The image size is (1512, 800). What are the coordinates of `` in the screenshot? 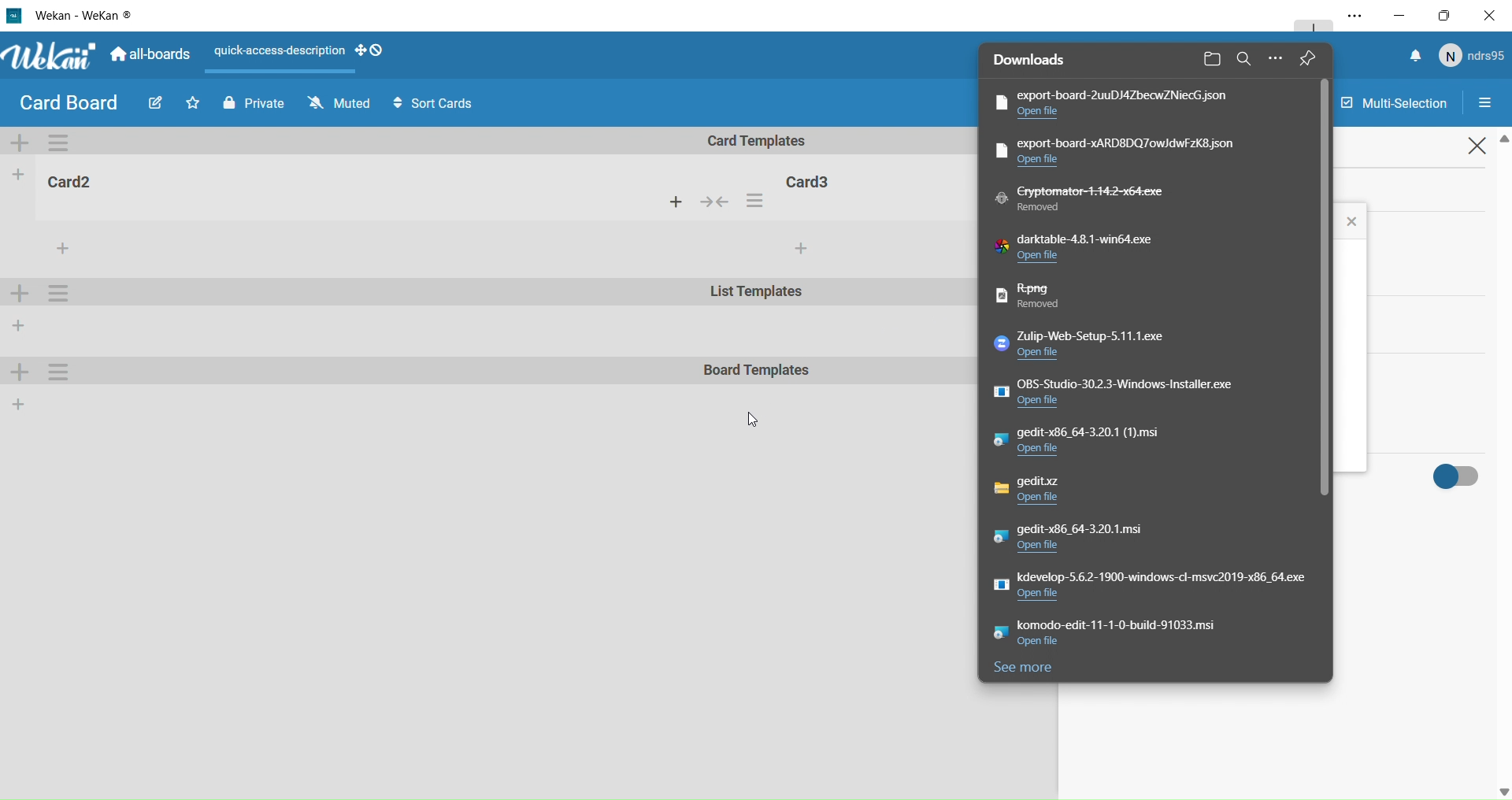 It's located at (20, 141).